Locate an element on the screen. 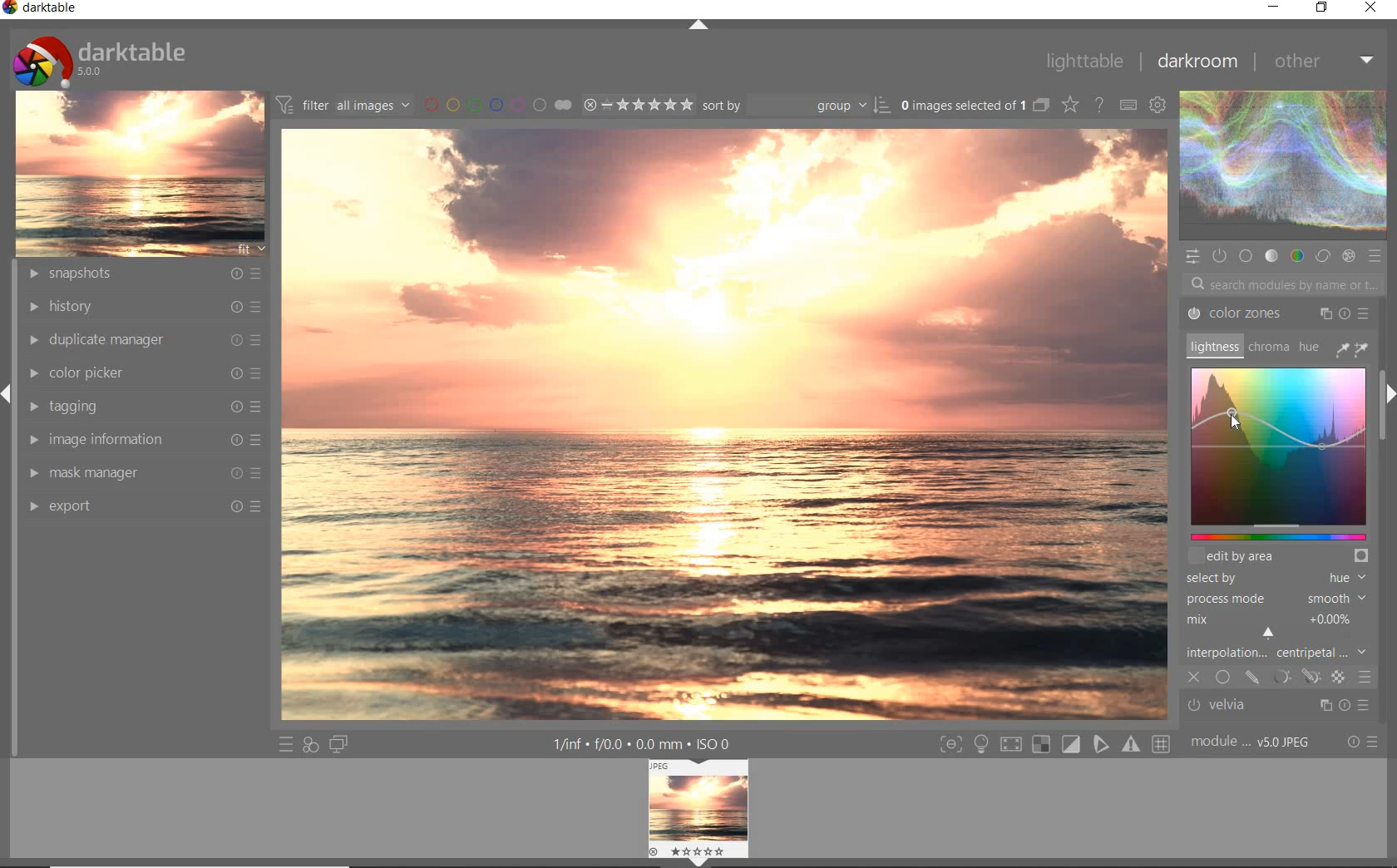 The width and height of the screenshot is (1397, 868). MASKING OPTIONS is located at coordinates (1293, 676).